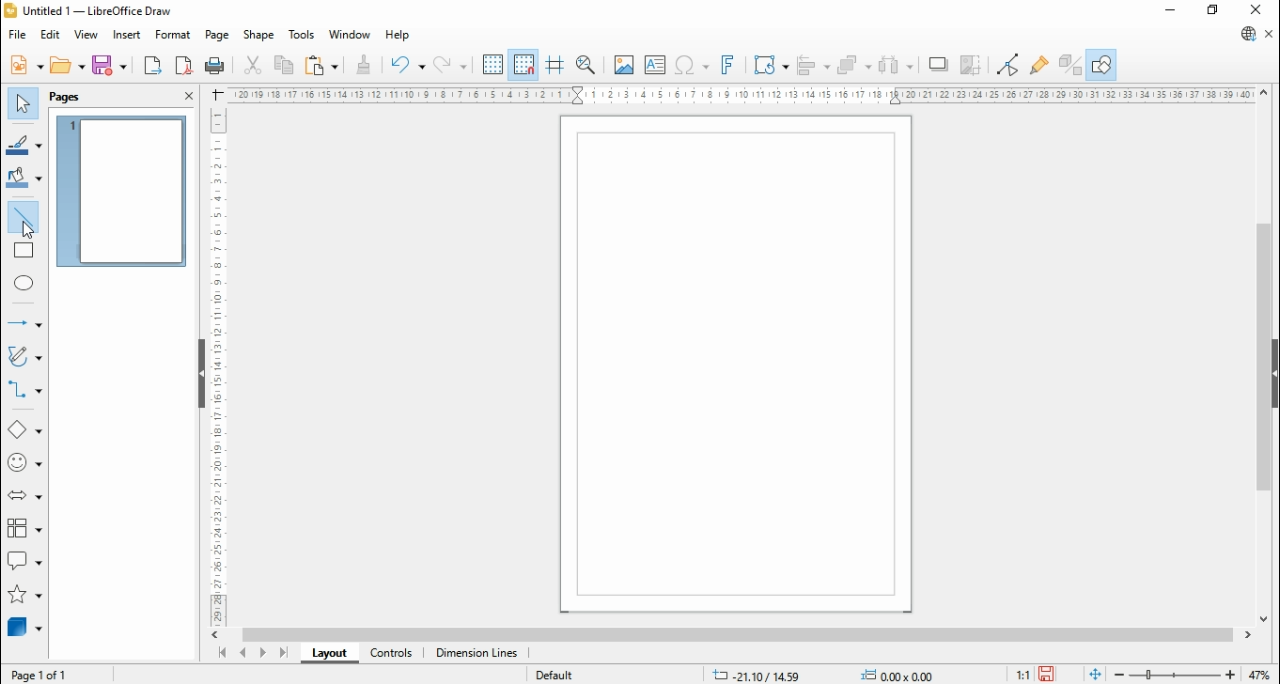 The height and width of the screenshot is (684, 1280). I want to click on shadow, so click(940, 64).